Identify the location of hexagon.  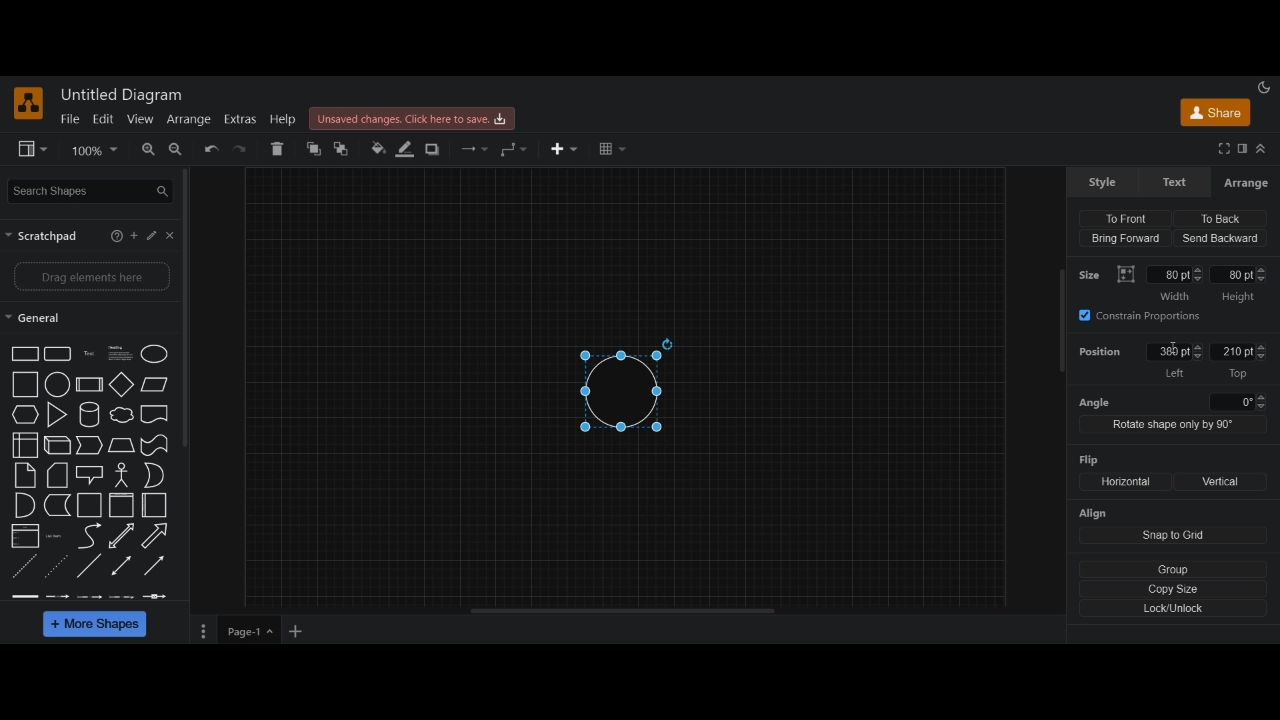
(26, 416).